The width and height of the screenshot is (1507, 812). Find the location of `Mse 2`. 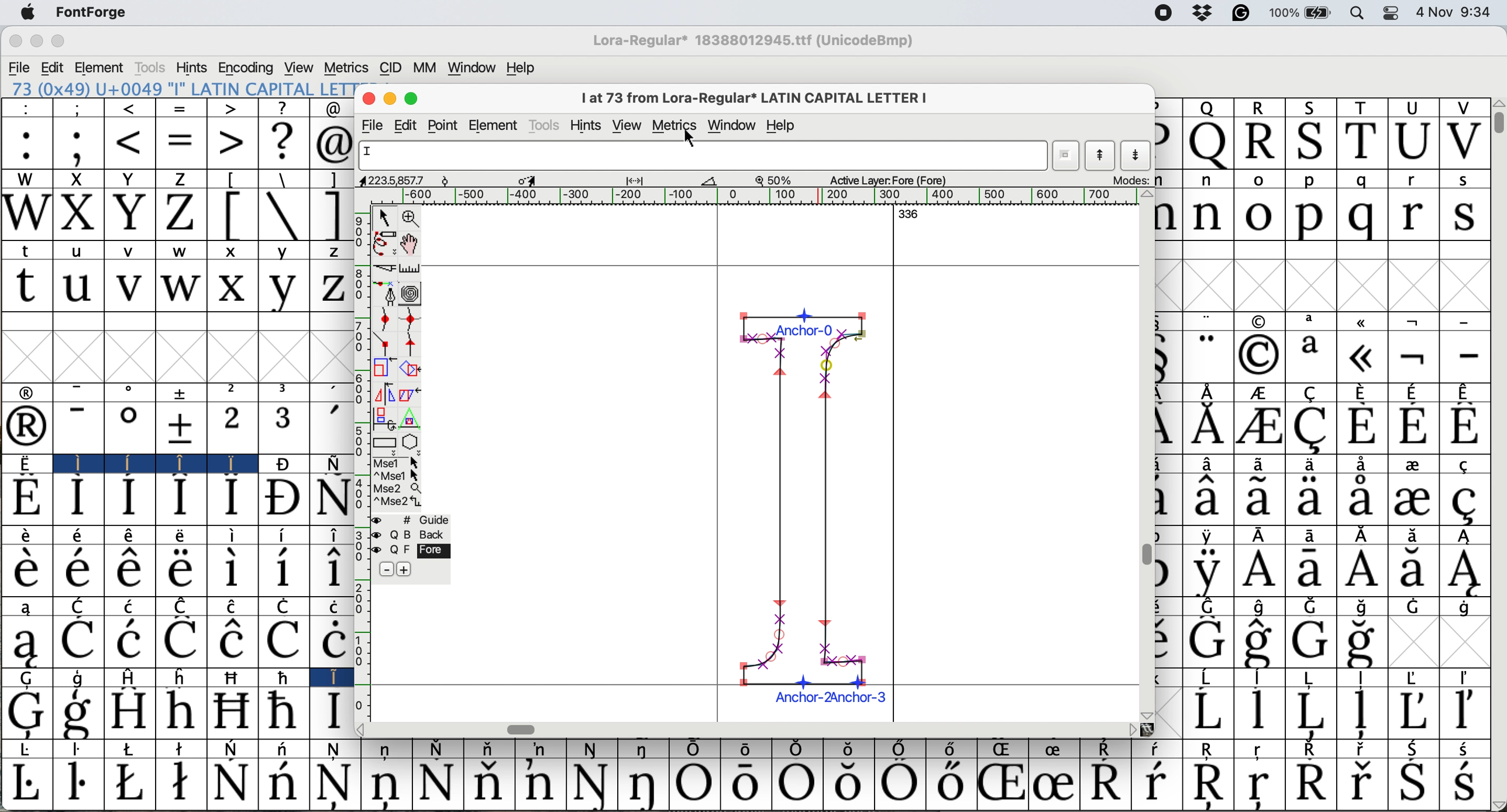

Mse 2 is located at coordinates (399, 488).